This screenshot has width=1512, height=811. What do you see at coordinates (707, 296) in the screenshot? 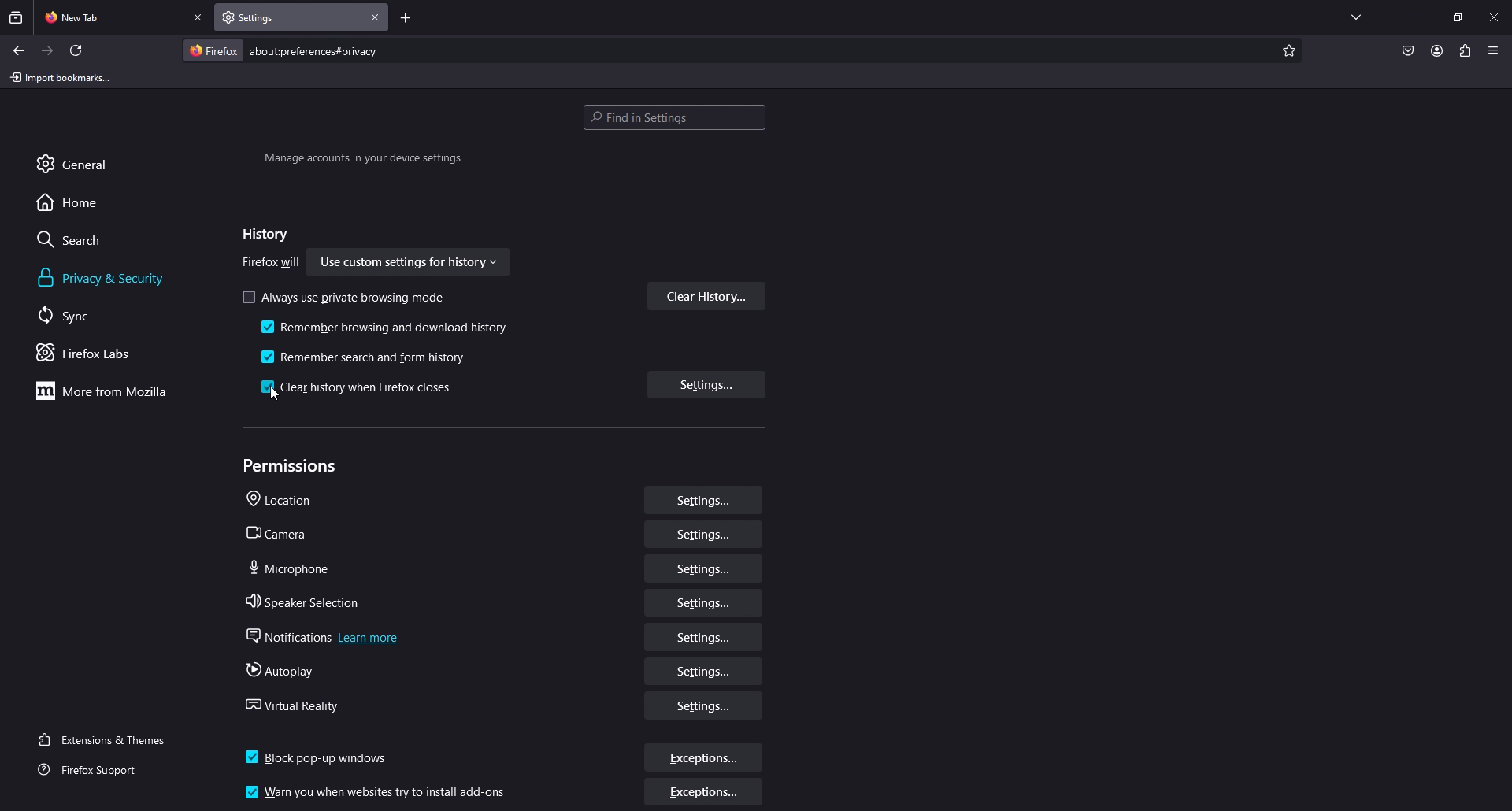
I see `clear history` at bounding box center [707, 296].